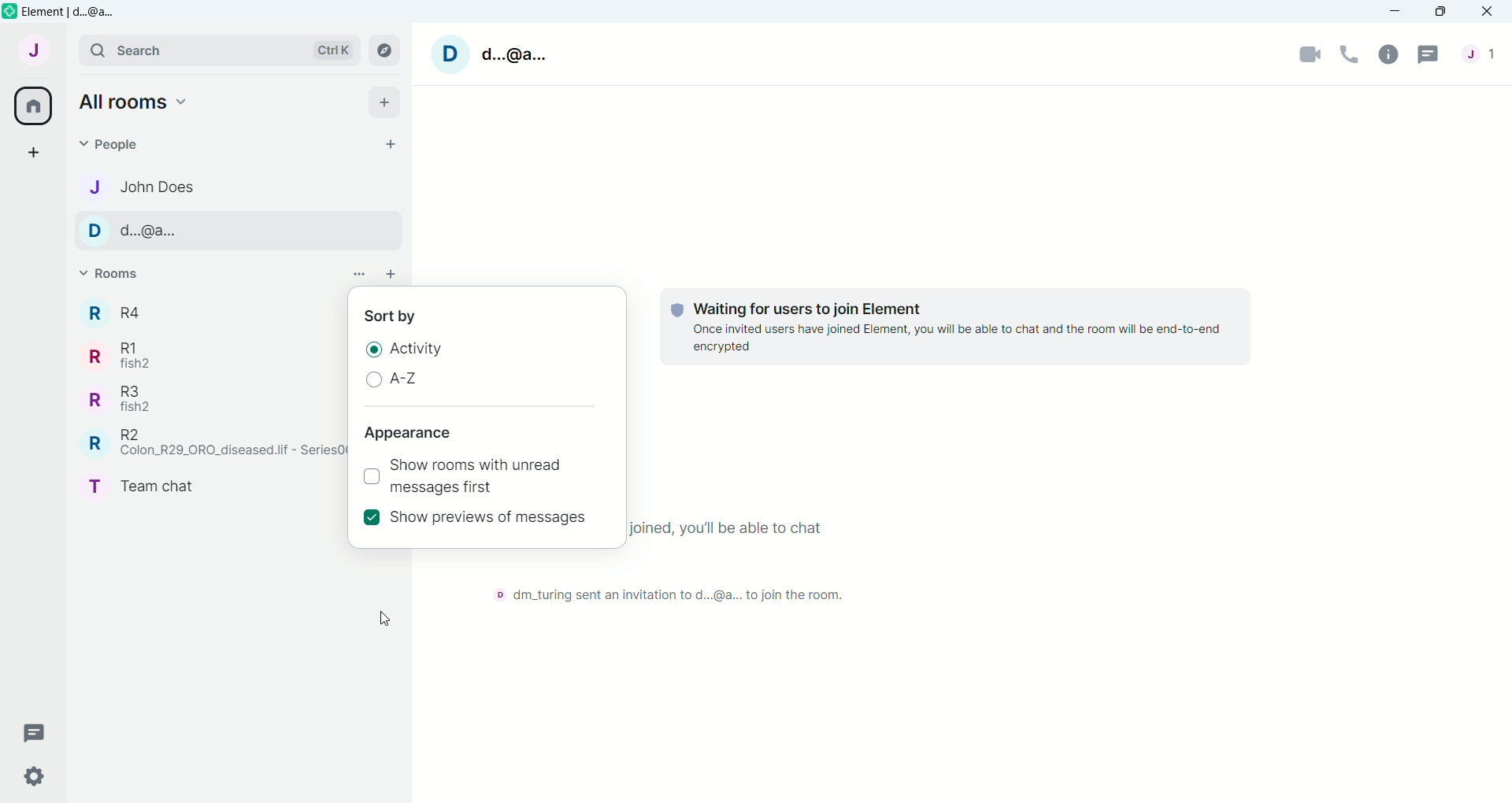  Describe the element at coordinates (385, 616) in the screenshot. I see `cursor` at that location.